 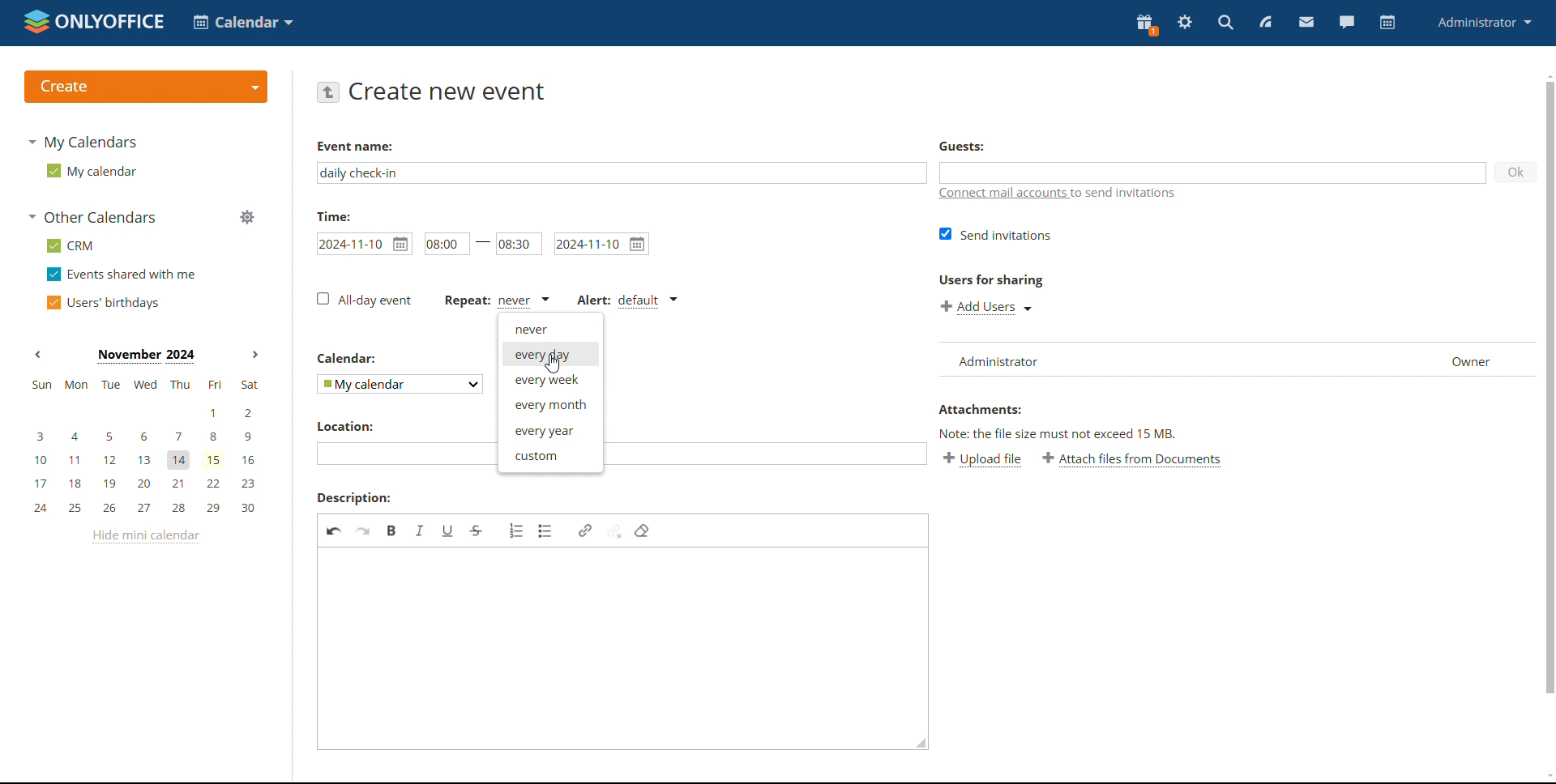 What do you see at coordinates (1145, 24) in the screenshot?
I see `present` at bounding box center [1145, 24].